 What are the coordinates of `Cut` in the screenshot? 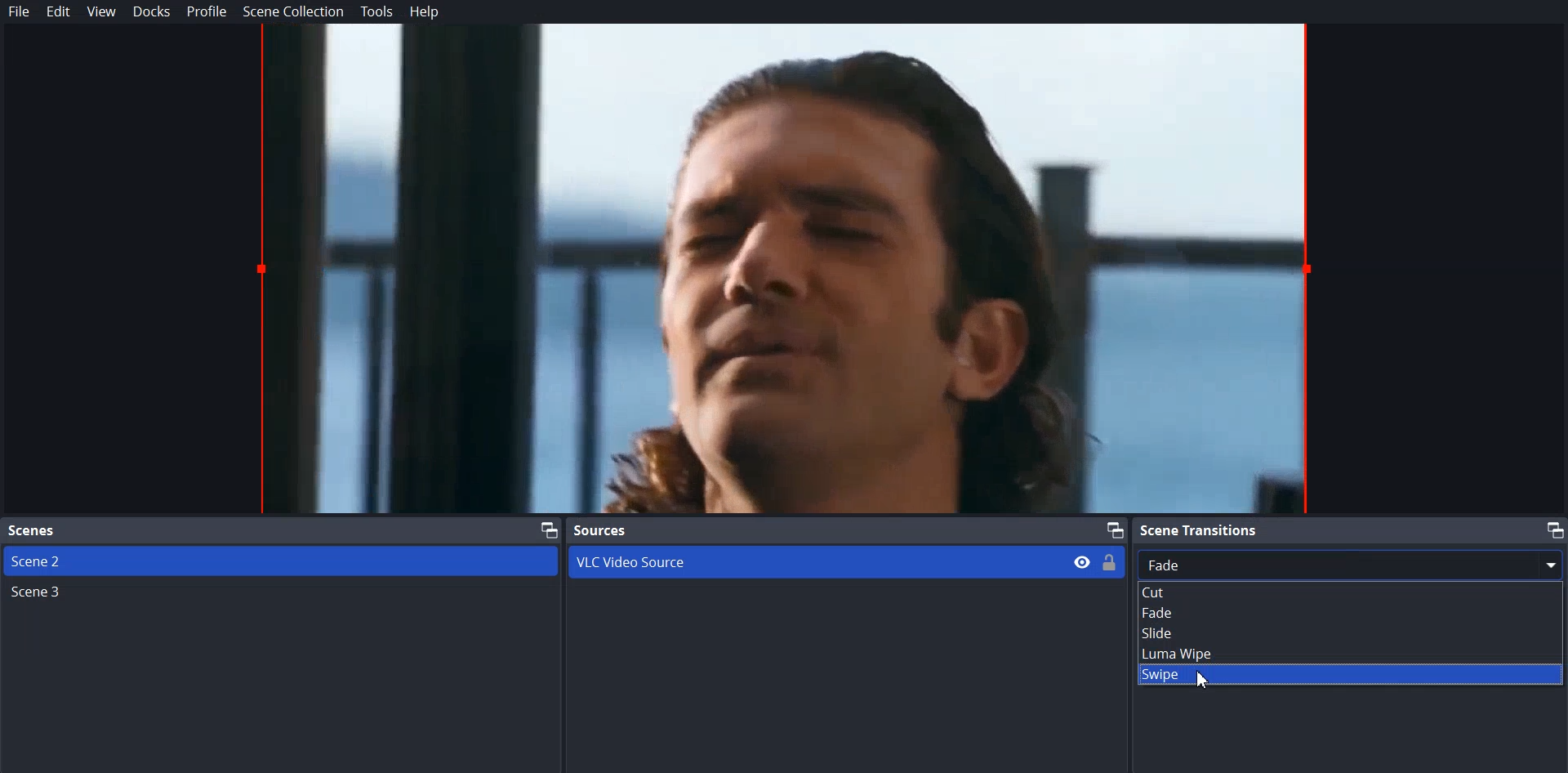 It's located at (1351, 592).